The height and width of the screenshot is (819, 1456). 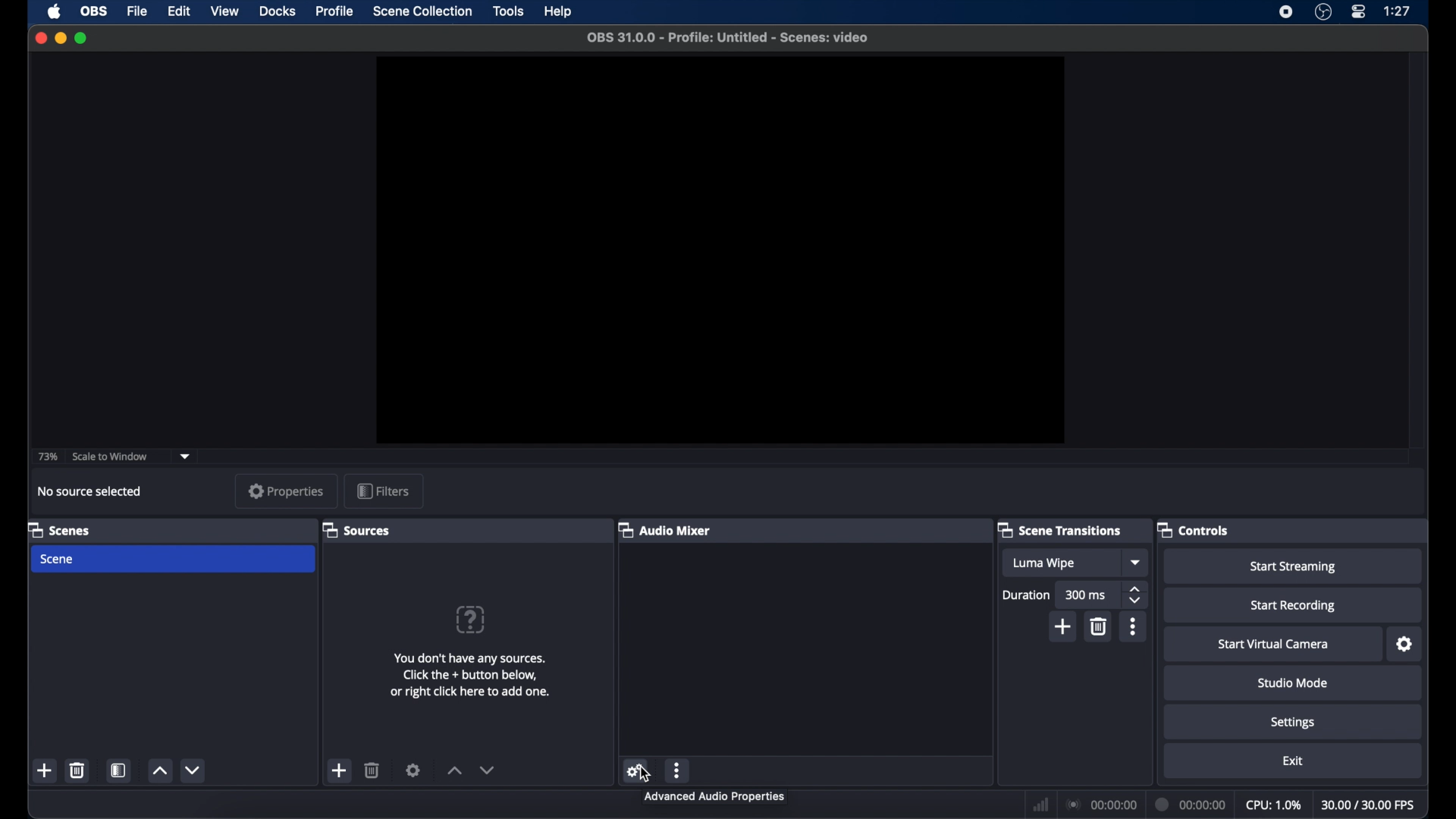 I want to click on start virtual camera, so click(x=1273, y=645).